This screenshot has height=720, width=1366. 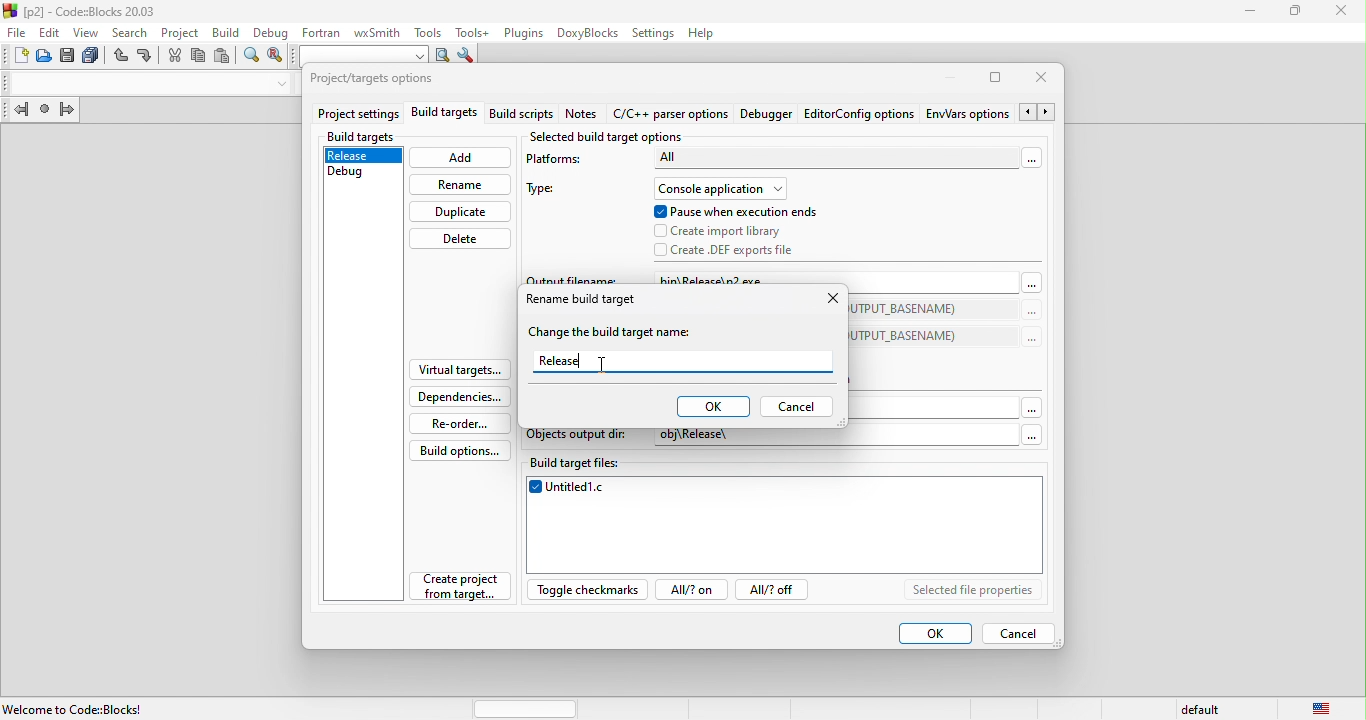 What do you see at coordinates (173, 56) in the screenshot?
I see `cut` at bounding box center [173, 56].